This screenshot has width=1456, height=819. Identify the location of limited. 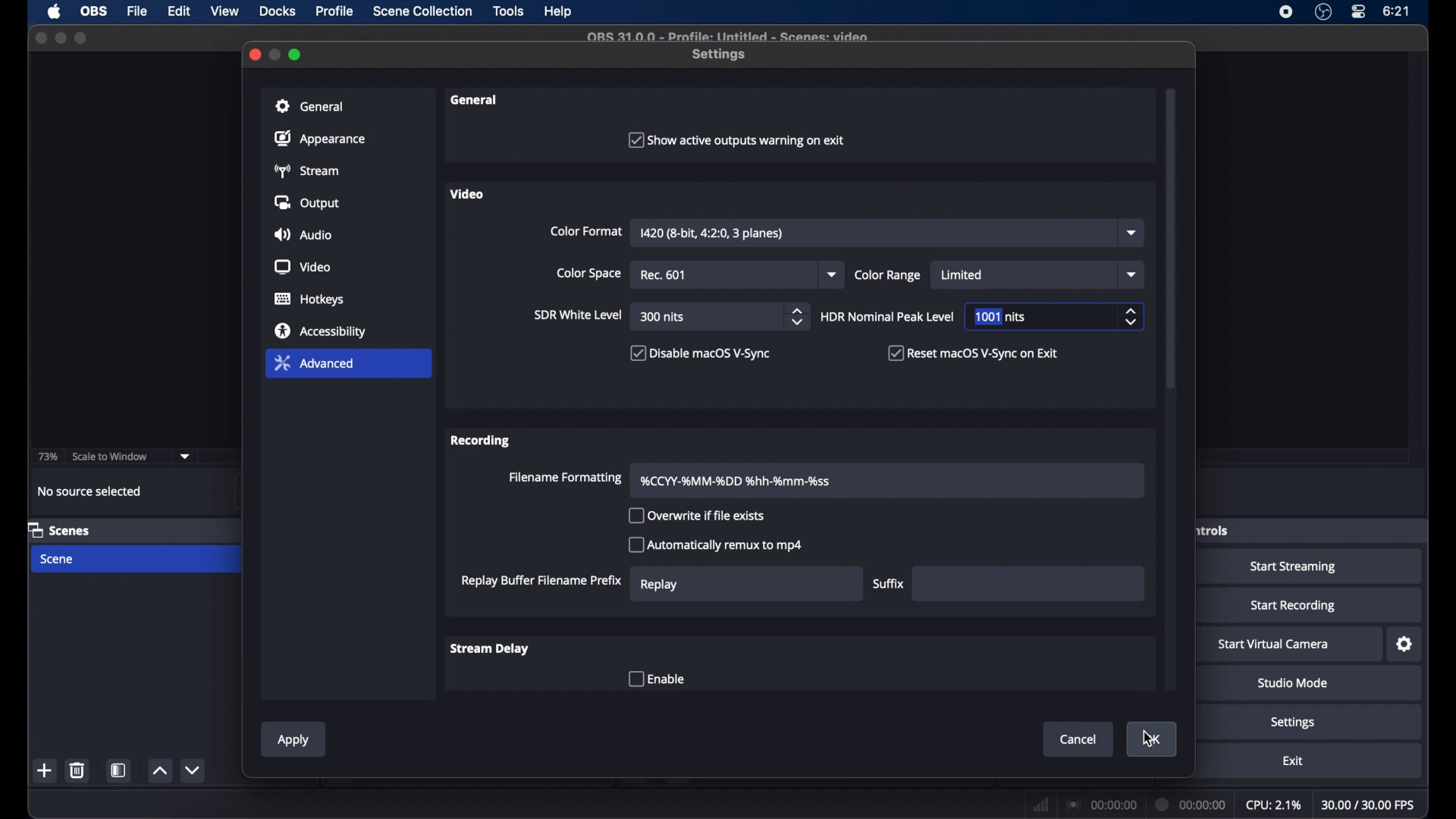
(964, 275).